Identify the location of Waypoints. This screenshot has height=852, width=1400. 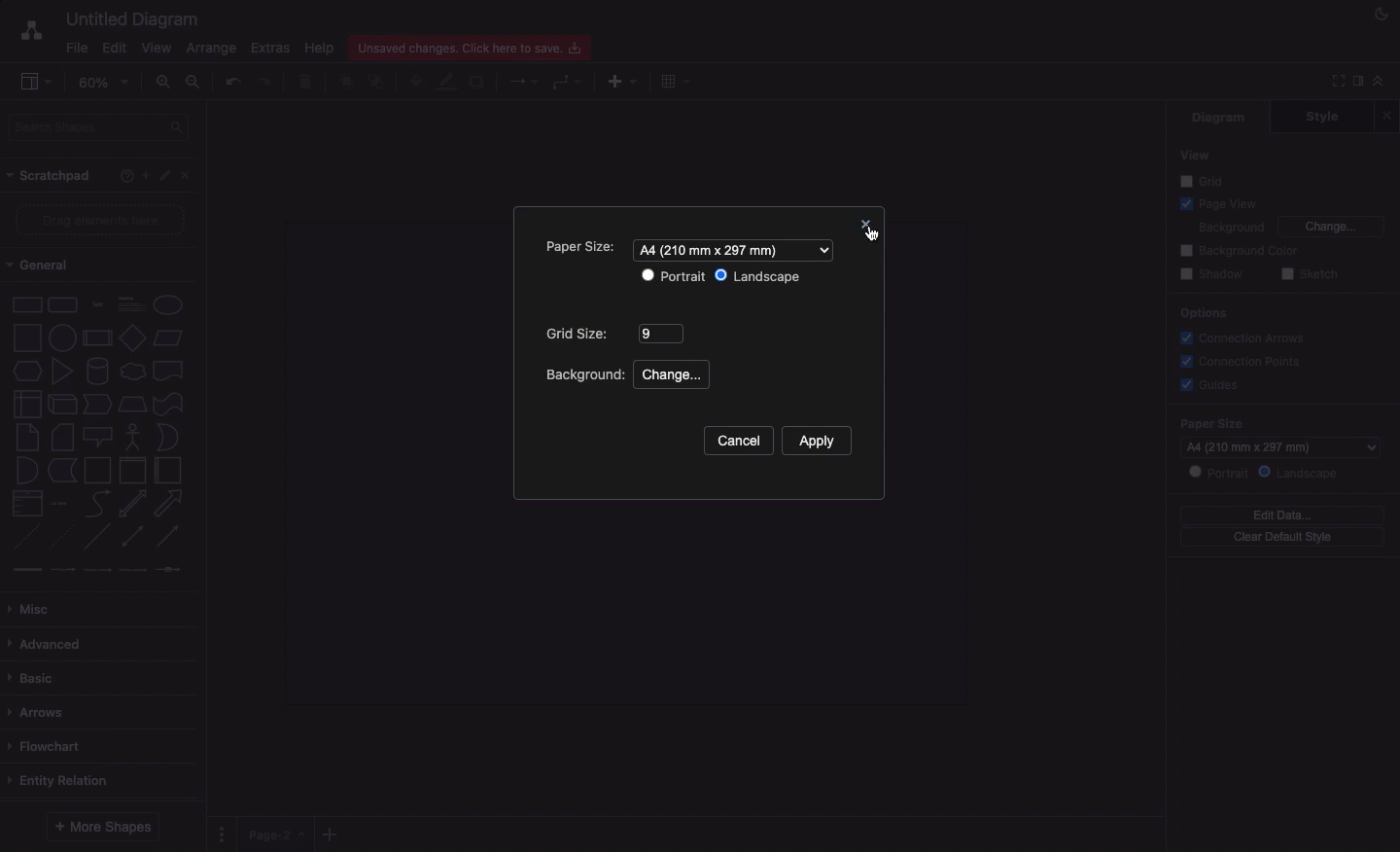
(569, 82).